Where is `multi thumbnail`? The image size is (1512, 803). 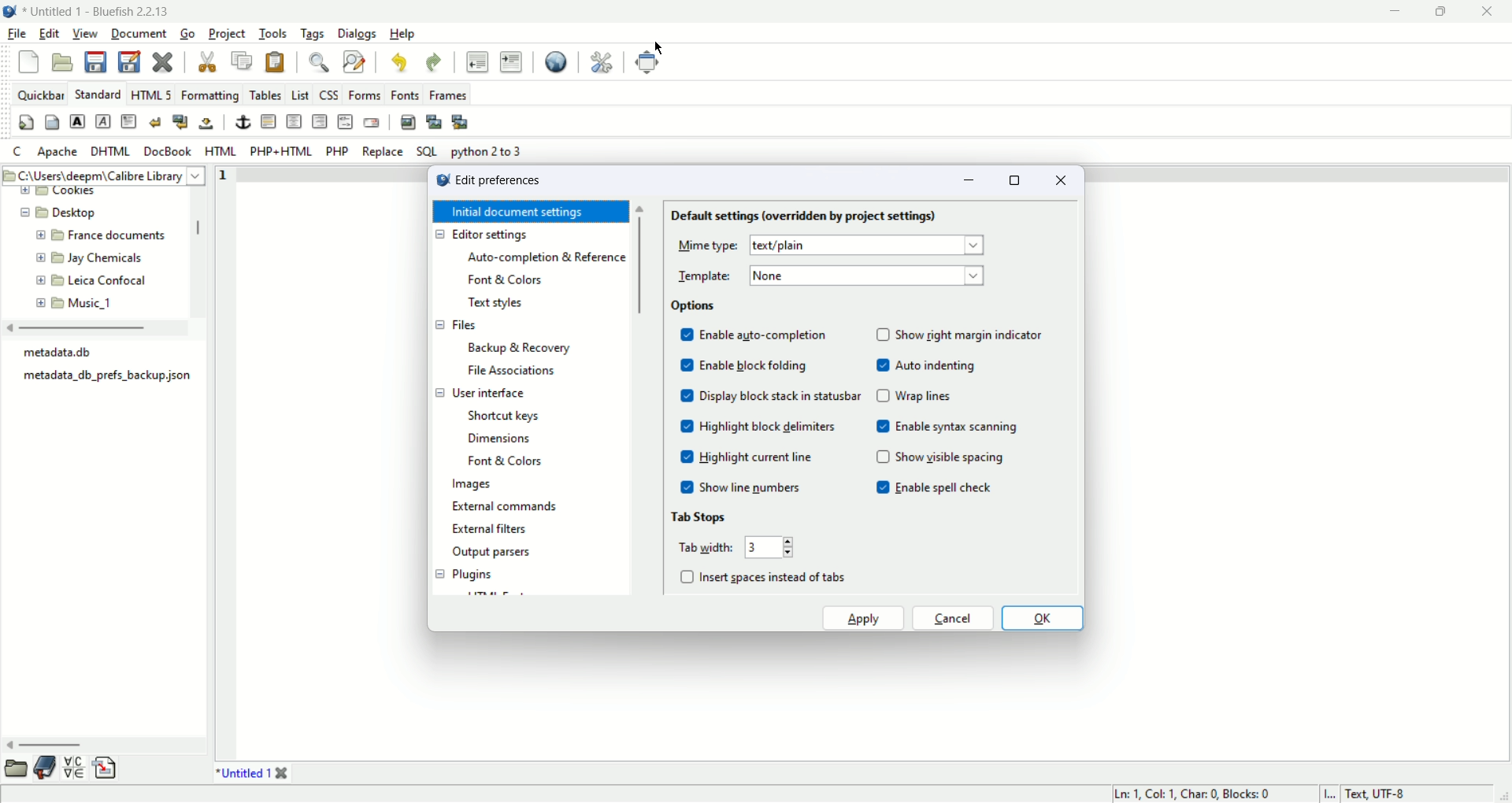
multi thumbnail is located at coordinates (461, 123).